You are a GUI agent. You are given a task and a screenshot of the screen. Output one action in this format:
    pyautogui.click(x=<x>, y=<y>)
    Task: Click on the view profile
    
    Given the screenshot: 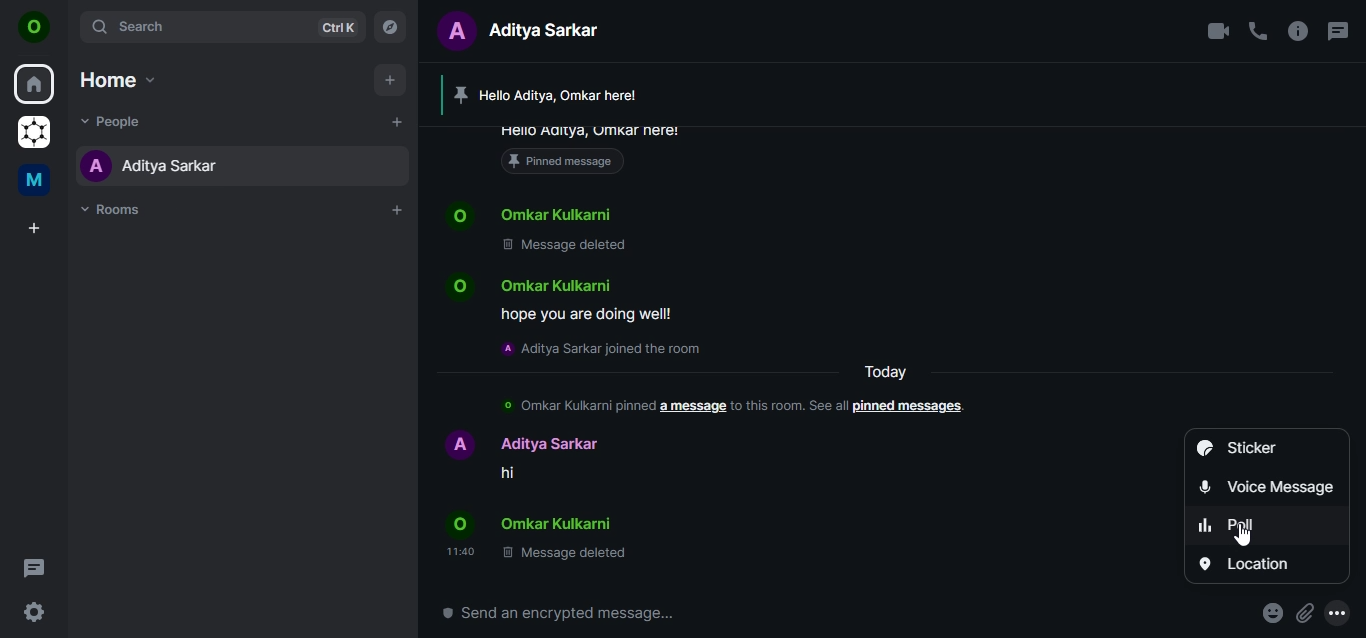 What is the action you would take?
    pyautogui.click(x=35, y=29)
    